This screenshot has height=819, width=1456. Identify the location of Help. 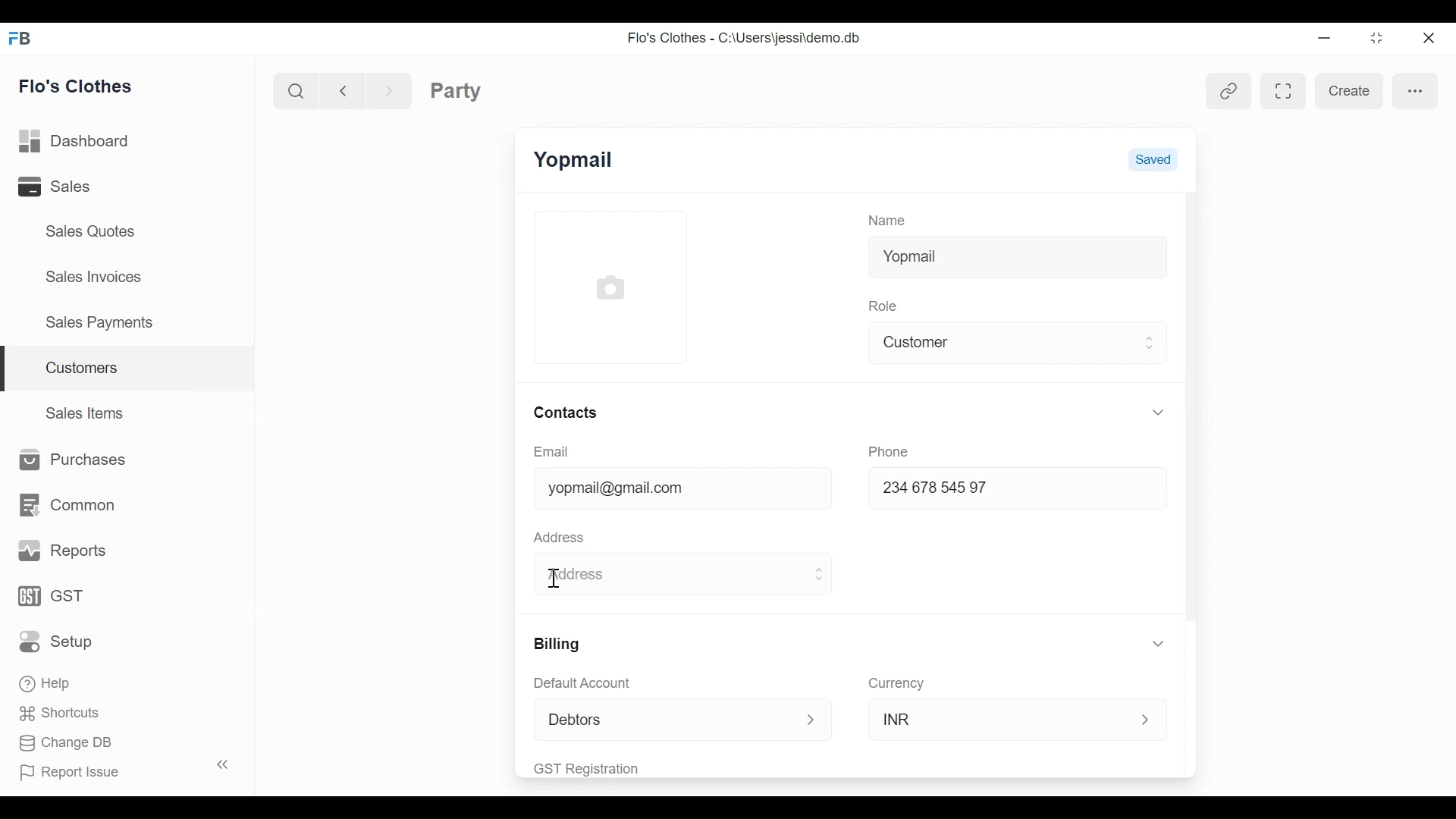
(47, 681).